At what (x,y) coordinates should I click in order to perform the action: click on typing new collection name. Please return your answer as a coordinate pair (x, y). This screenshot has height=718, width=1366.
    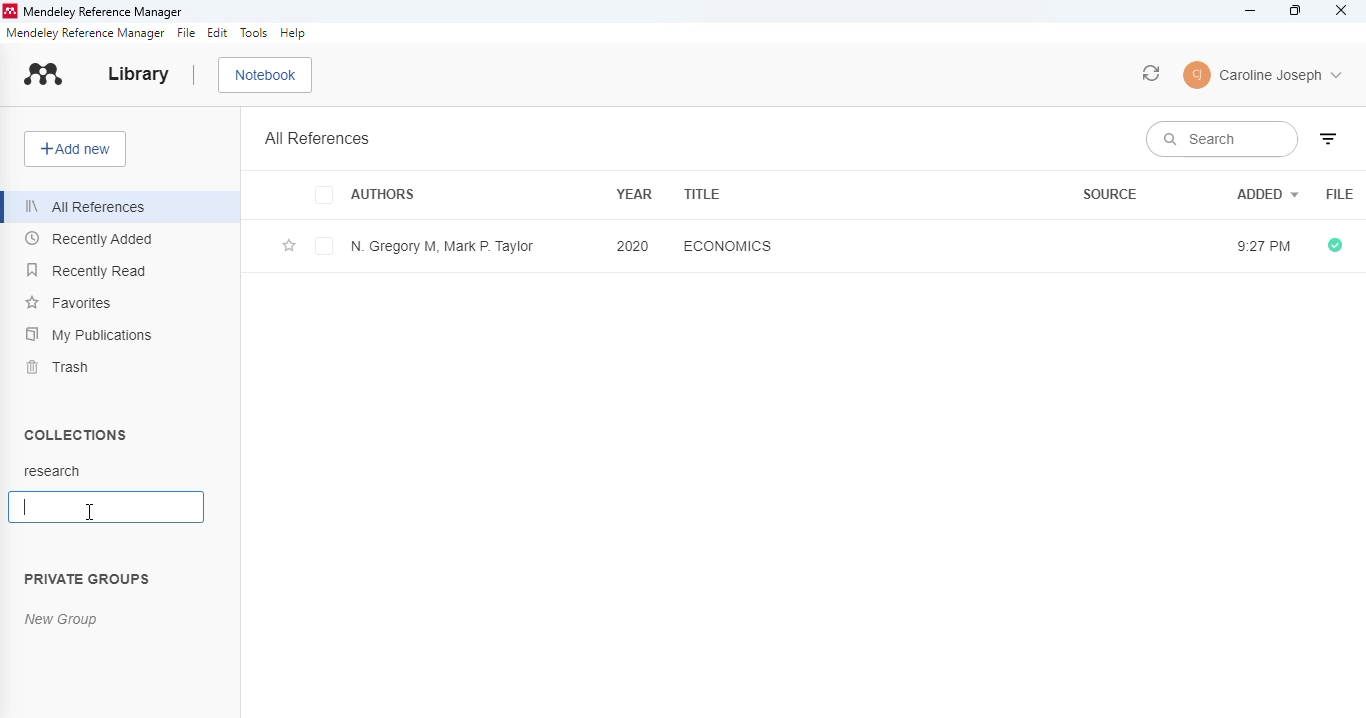
    Looking at the image, I should click on (107, 507).